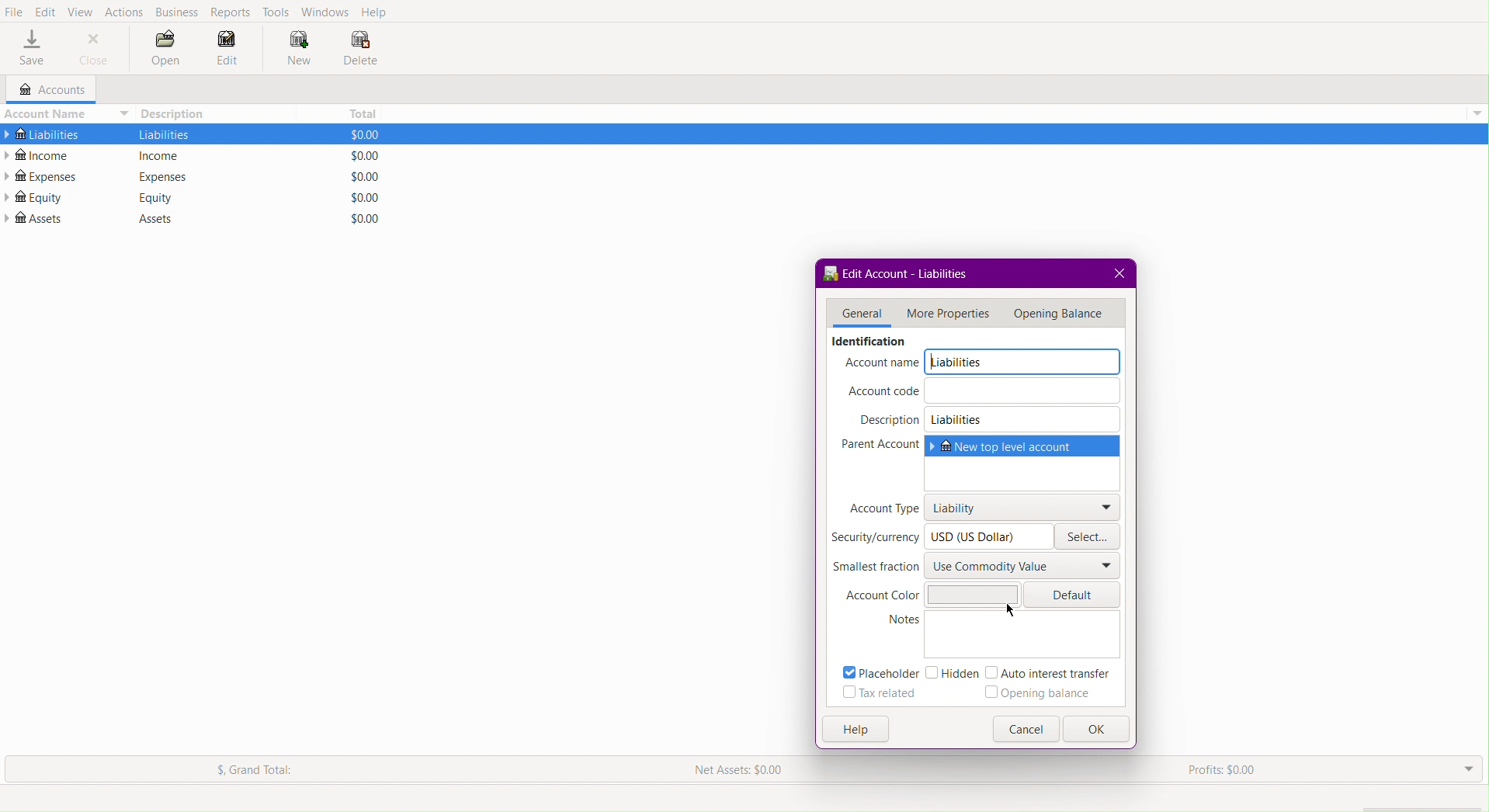  What do you see at coordinates (880, 445) in the screenshot?
I see `Parent Account` at bounding box center [880, 445].